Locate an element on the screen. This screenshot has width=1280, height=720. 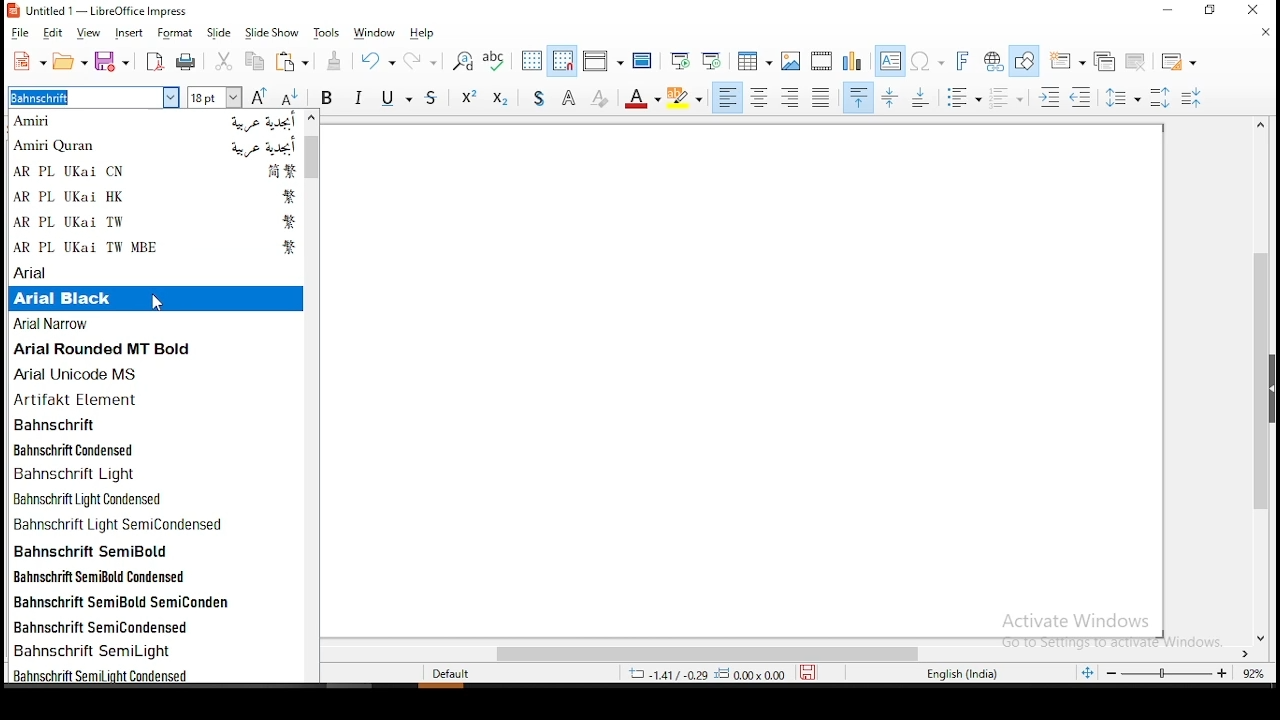
bahnschrift semilight condensed is located at coordinates (152, 674).